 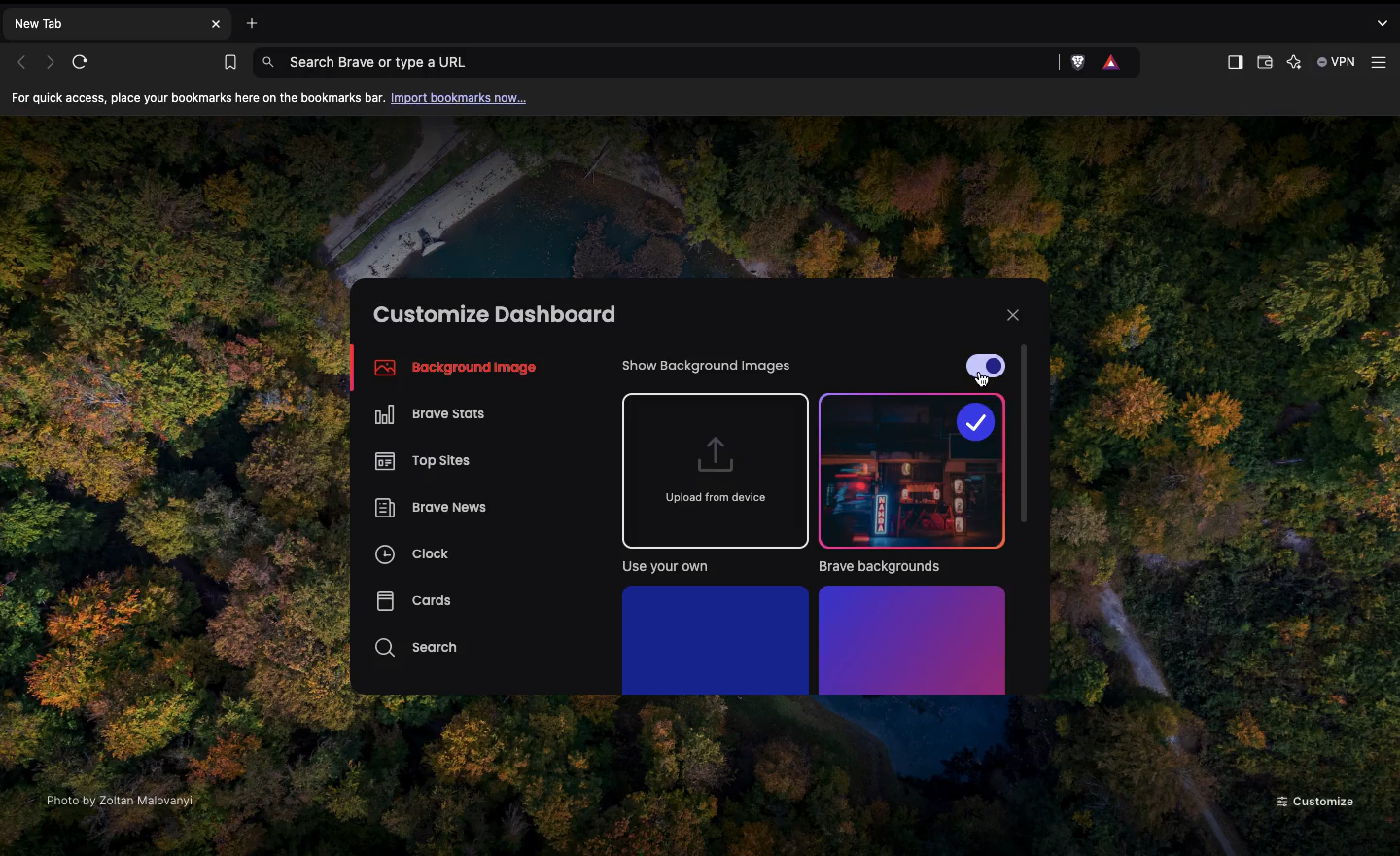 What do you see at coordinates (1233, 63) in the screenshot?
I see `Sidebar` at bounding box center [1233, 63].